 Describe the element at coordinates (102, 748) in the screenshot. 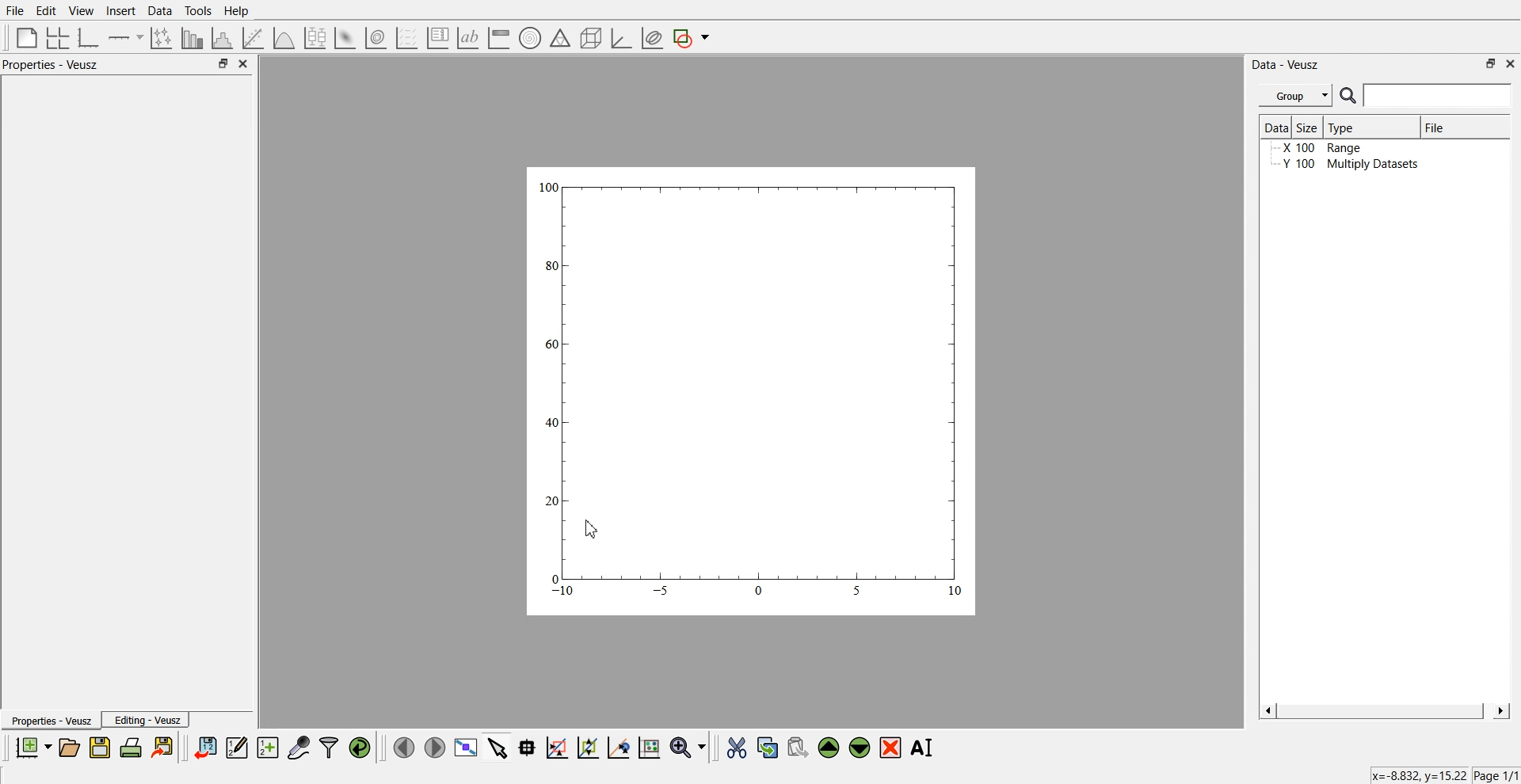

I see `save` at that location.